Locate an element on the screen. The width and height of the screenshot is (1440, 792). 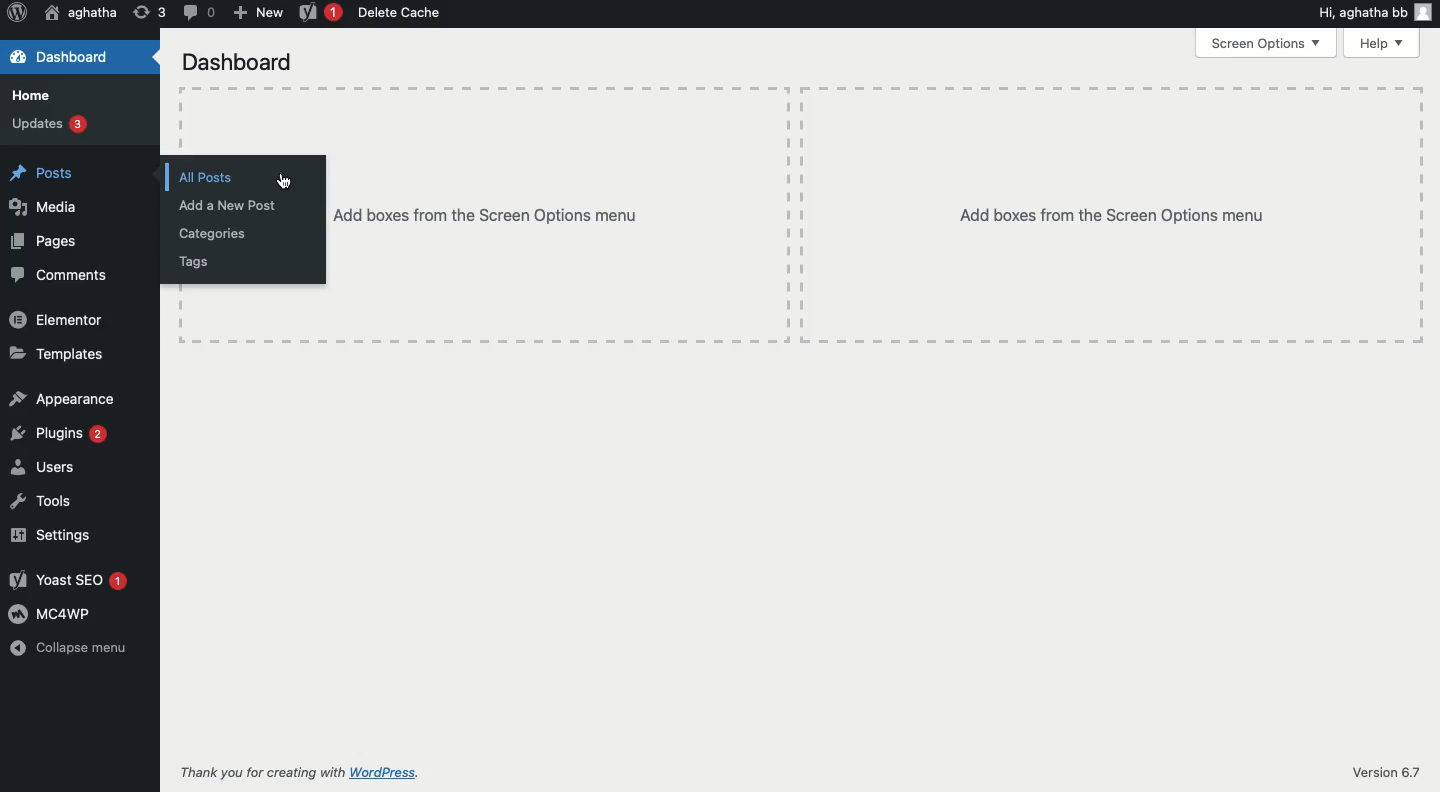
Yoast is located at coordinates (317, 15).